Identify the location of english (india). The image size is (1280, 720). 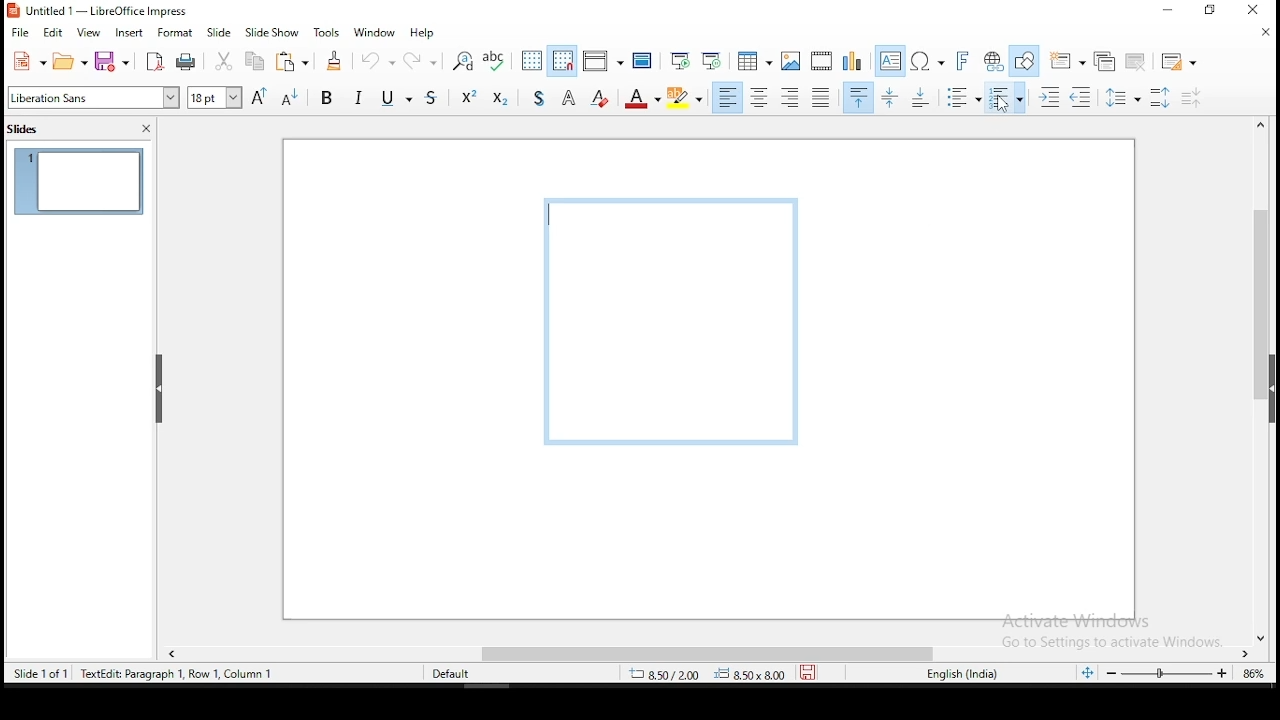
(959, 673).